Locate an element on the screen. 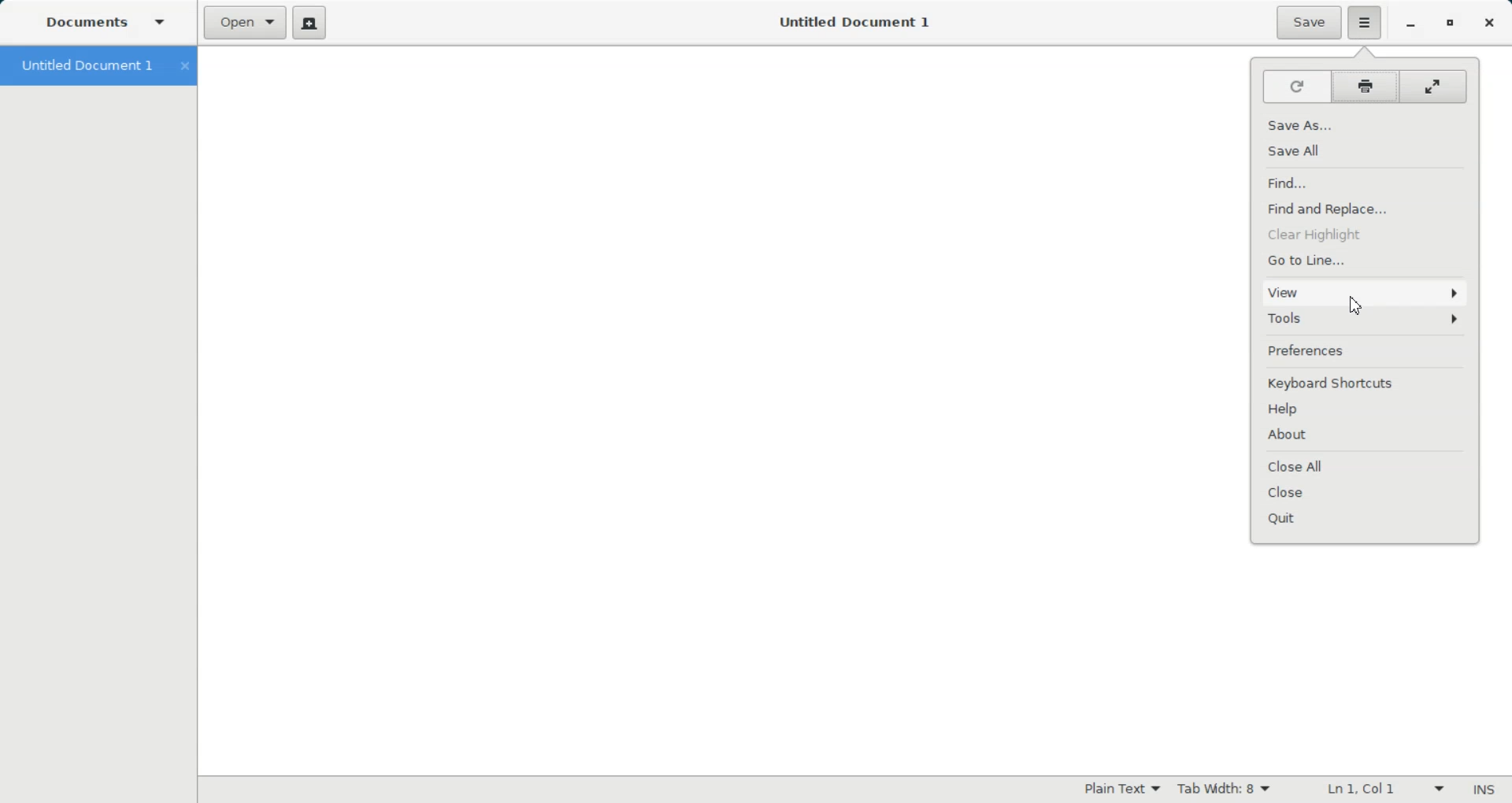 Image resolution: width=1512 pixels, height=803 pixels. About is located at coordinates (1364, 435).